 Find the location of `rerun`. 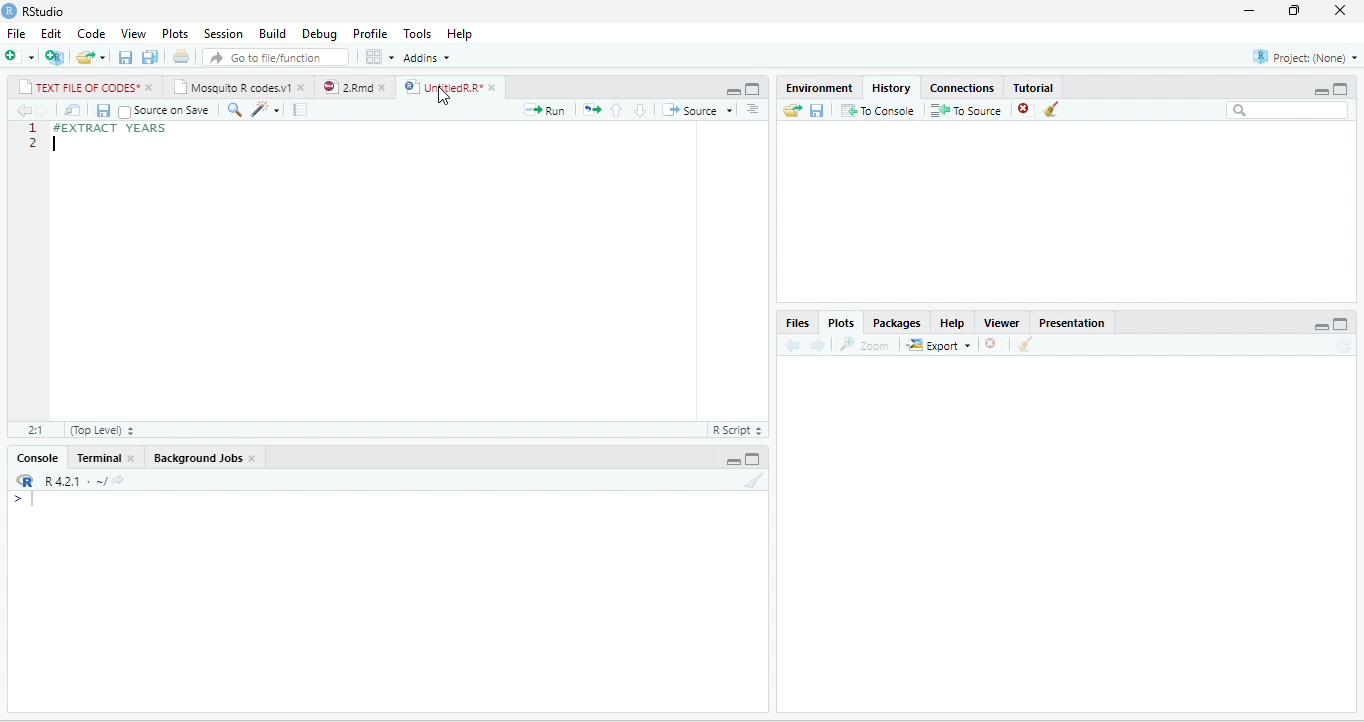

rerun is located at coordinates (591, 109).